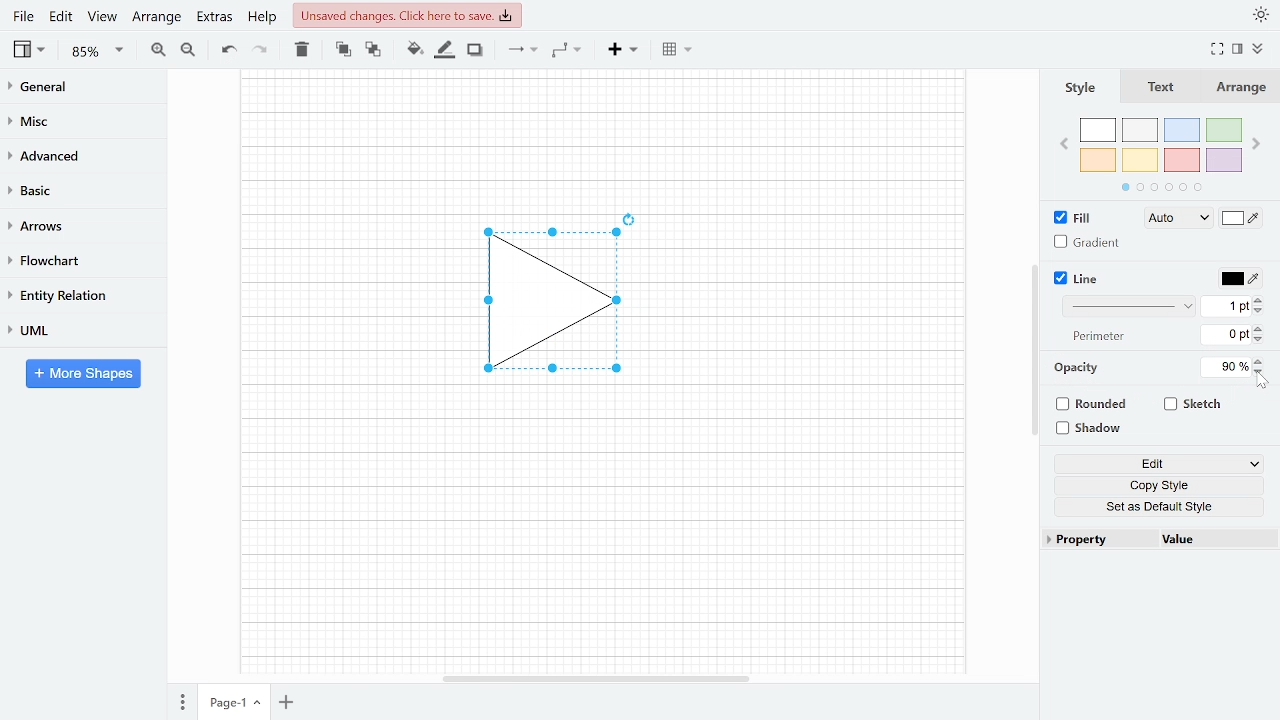 The width and height of the screenshot is (1280, 720). Describe the element at coordinates (475, 50) in the screenshot. I see `Shadow` at that location.